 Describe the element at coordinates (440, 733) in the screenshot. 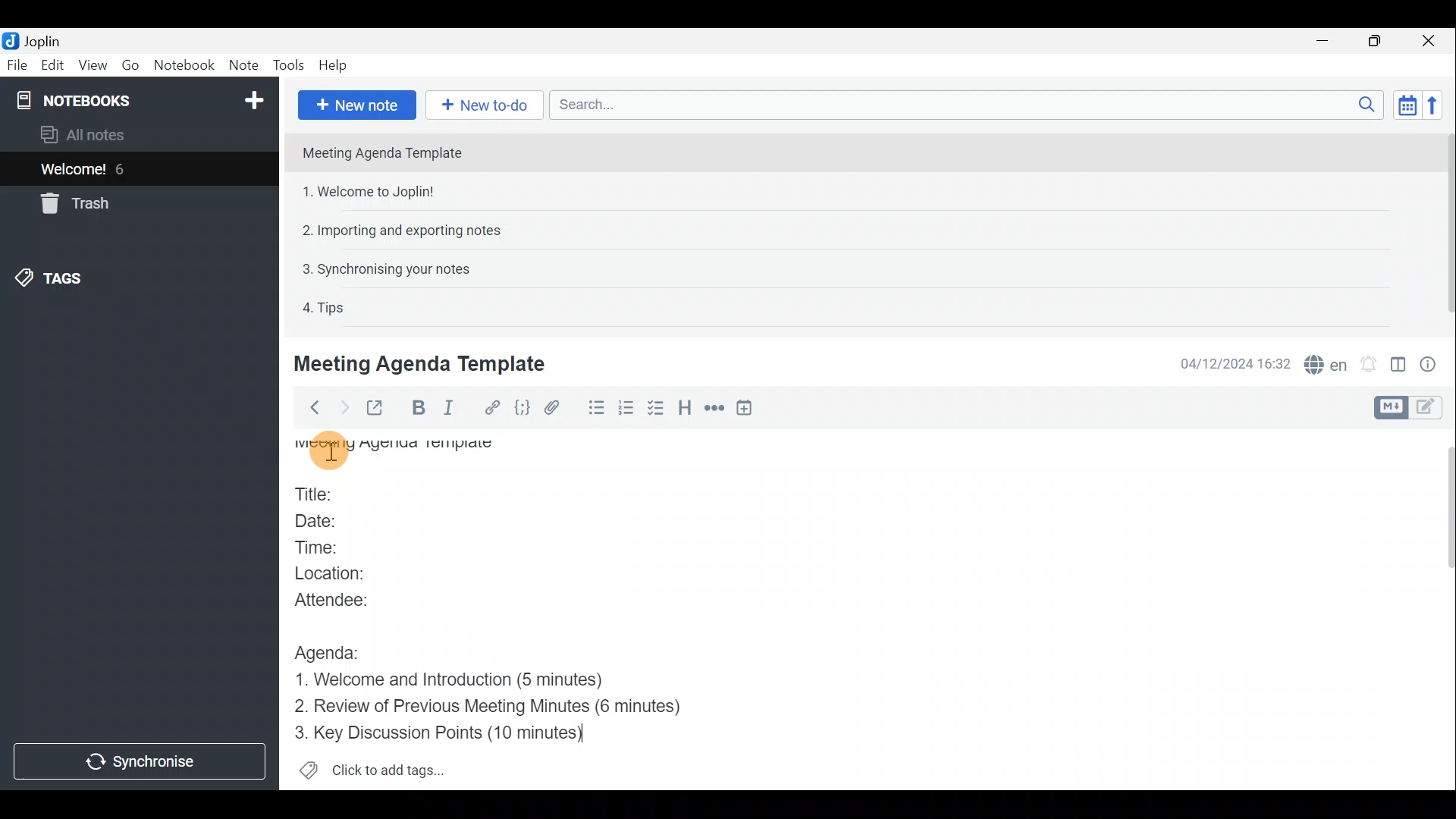

I see `Key Discussion Points (10 minutes)` at that location.